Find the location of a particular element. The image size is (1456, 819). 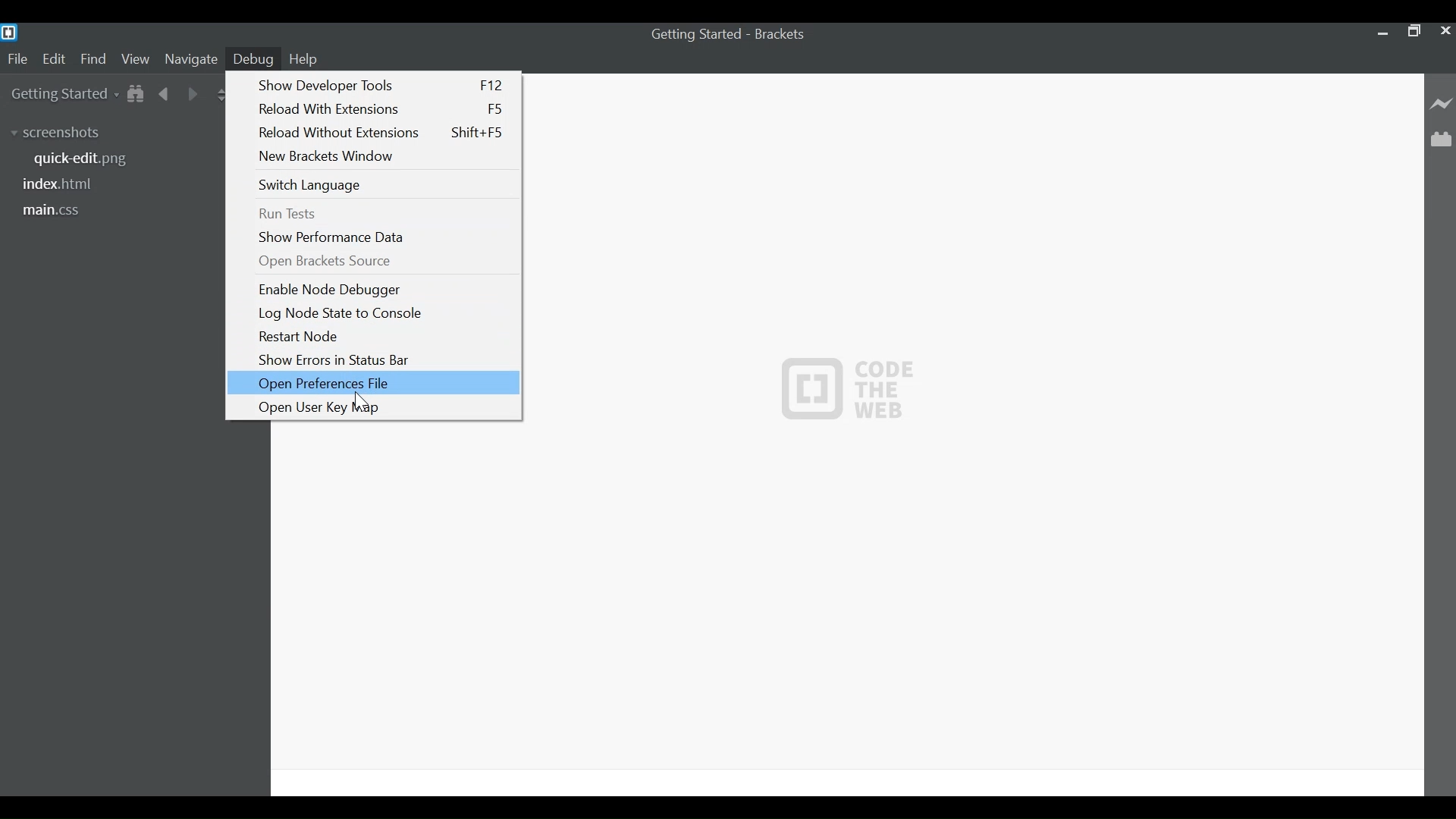

Reload Without Extensions is located at coordinates (383, 132).